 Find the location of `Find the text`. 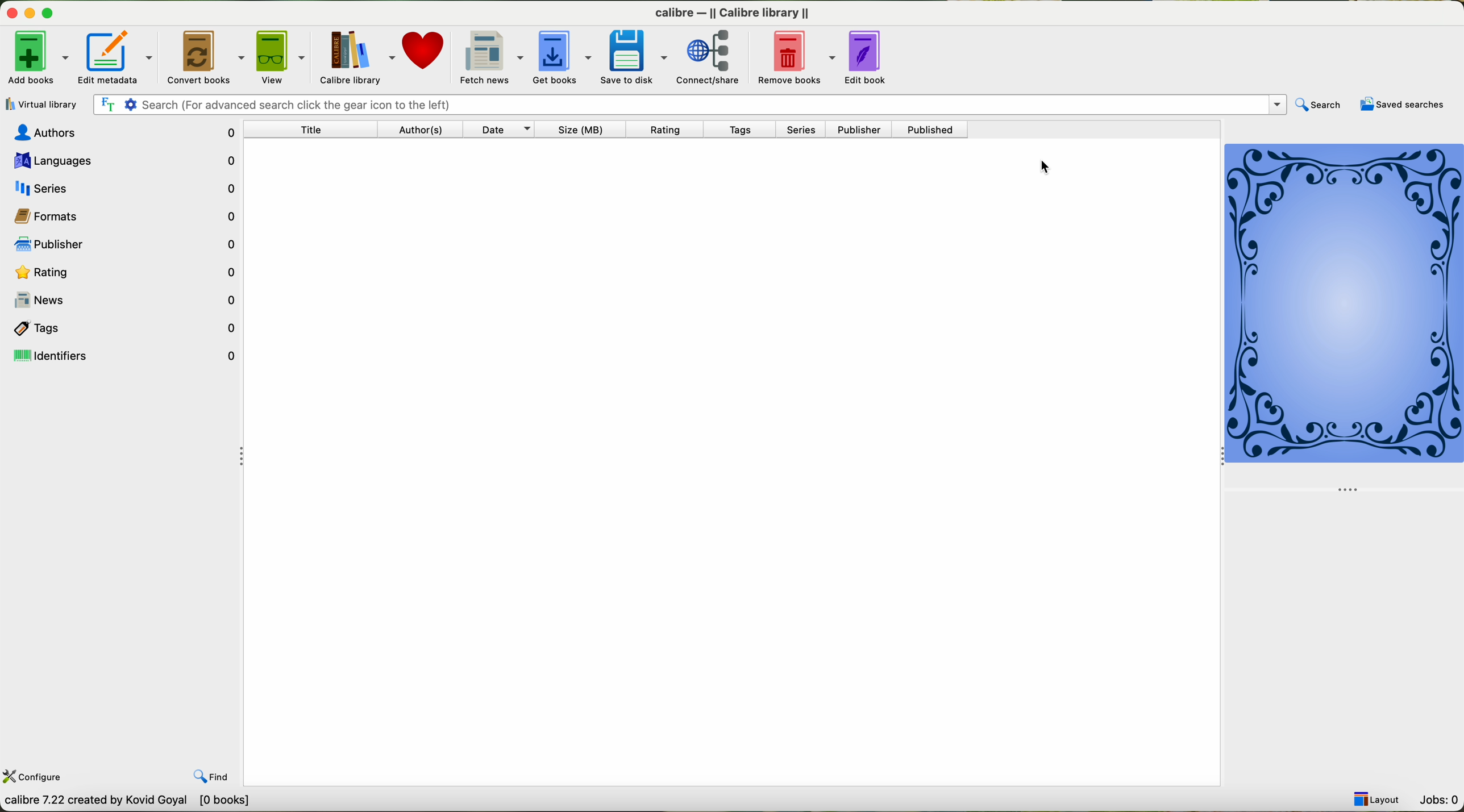

Find the text is located at coordinates (106, 103).